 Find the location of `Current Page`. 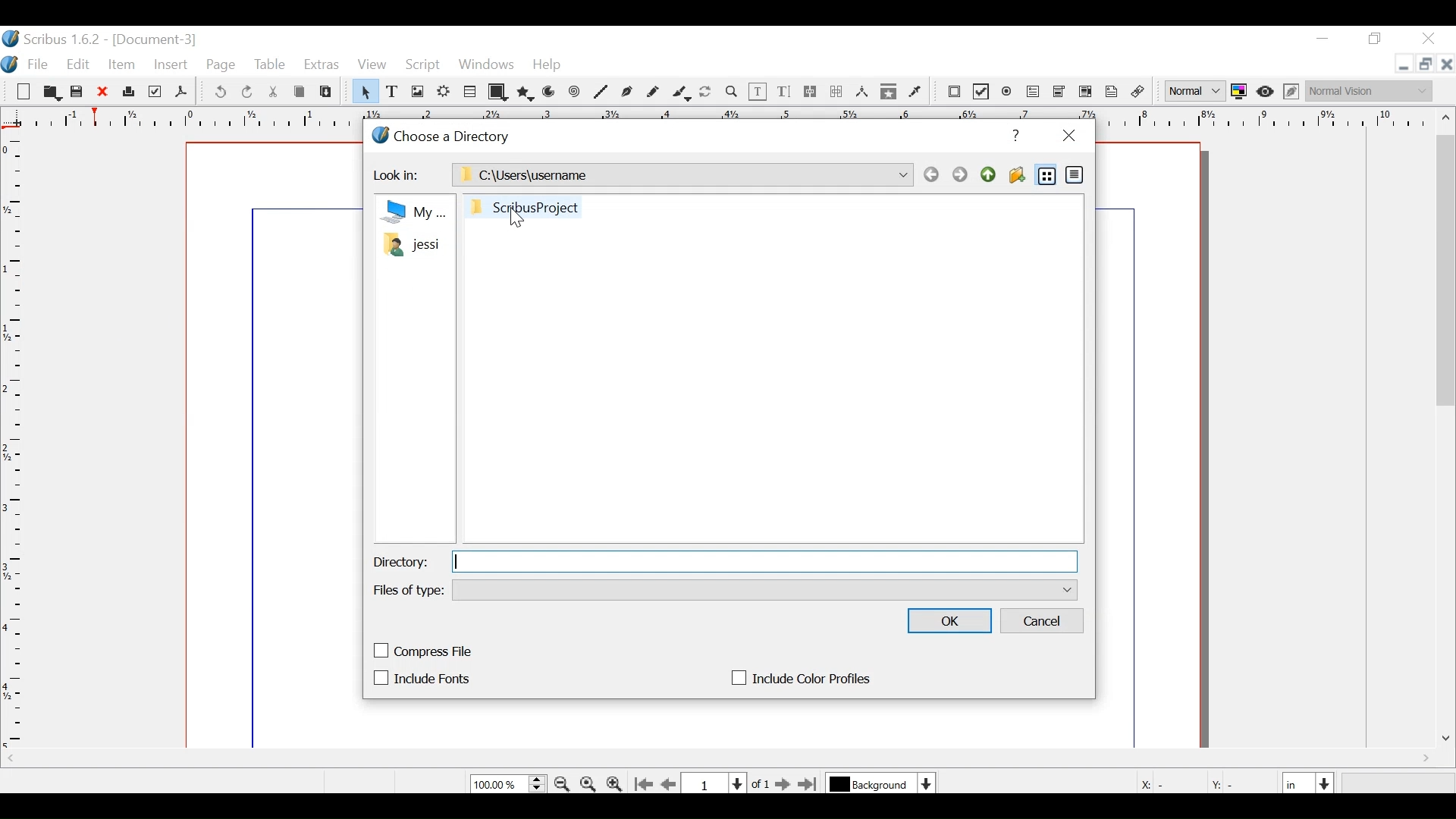

Current Page is located at coordinates (716, 782).